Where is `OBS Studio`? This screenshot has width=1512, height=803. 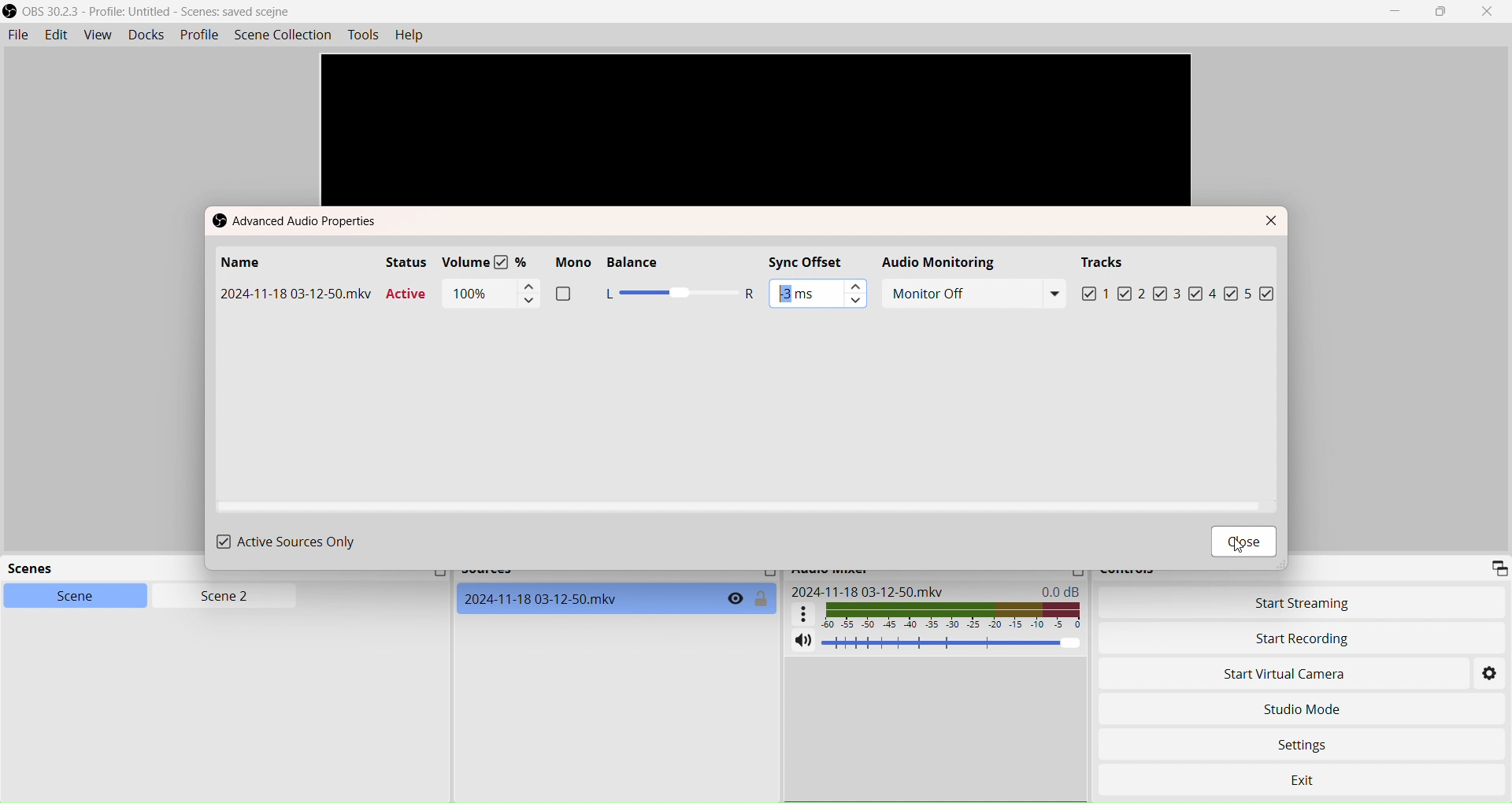
OBS Studio is located at coordinates (154, 12).